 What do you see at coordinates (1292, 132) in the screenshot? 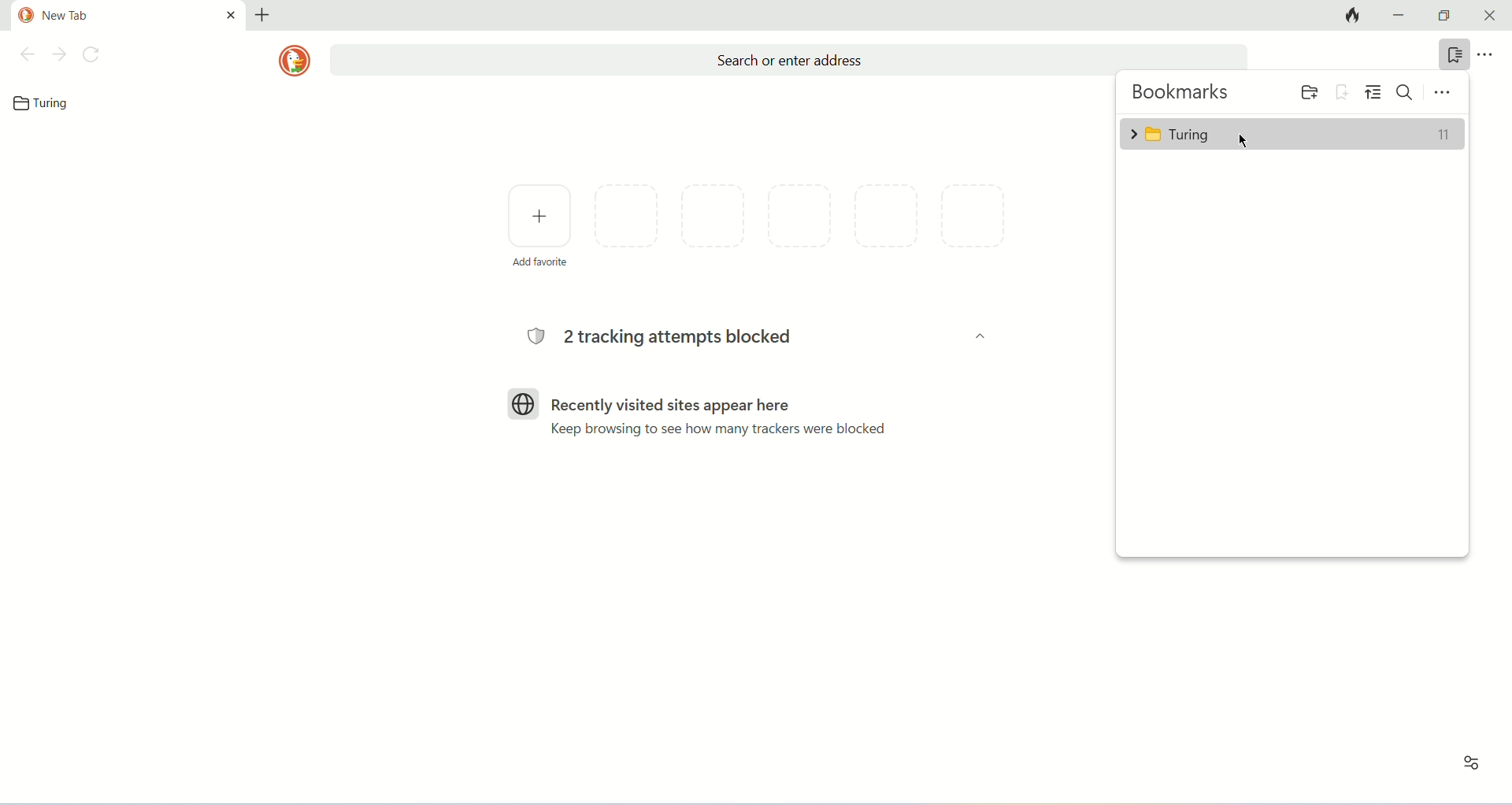
I see `turing` at bounding box center [1292, 132].